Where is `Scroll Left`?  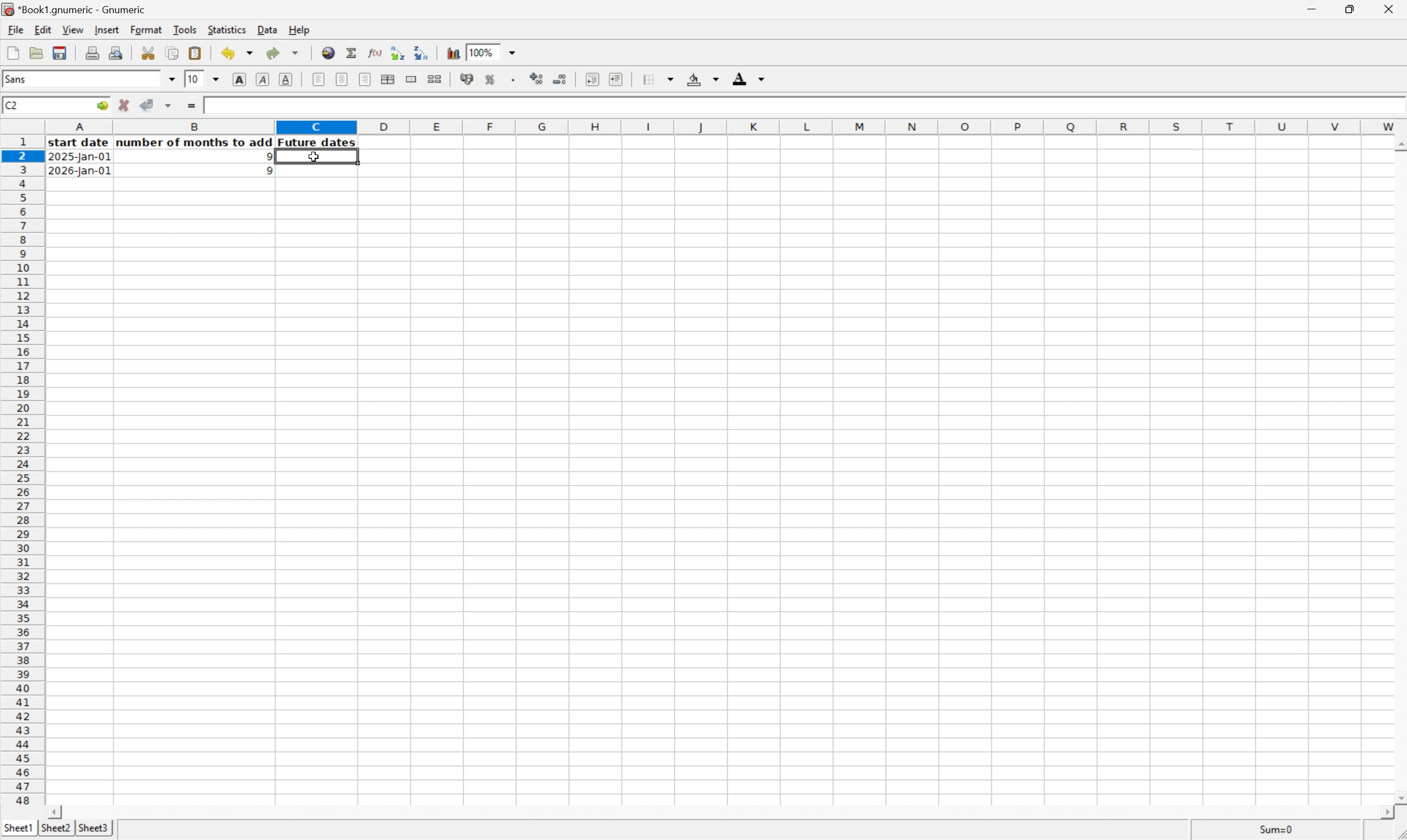 Scroll Left is located at coordinates (57, 811).